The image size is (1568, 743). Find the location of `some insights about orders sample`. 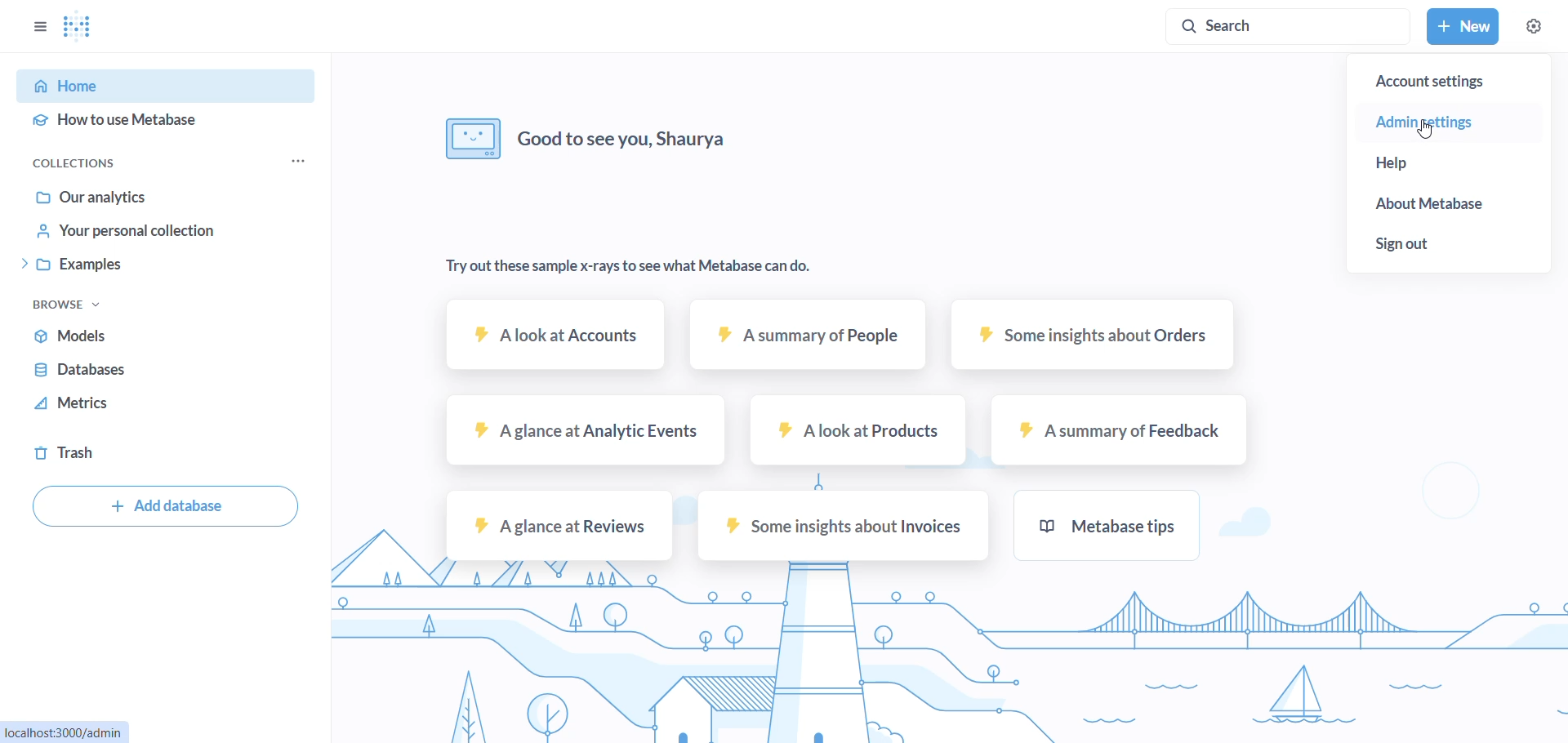

some insights about orders sample is located at coordinates (1098, 337).